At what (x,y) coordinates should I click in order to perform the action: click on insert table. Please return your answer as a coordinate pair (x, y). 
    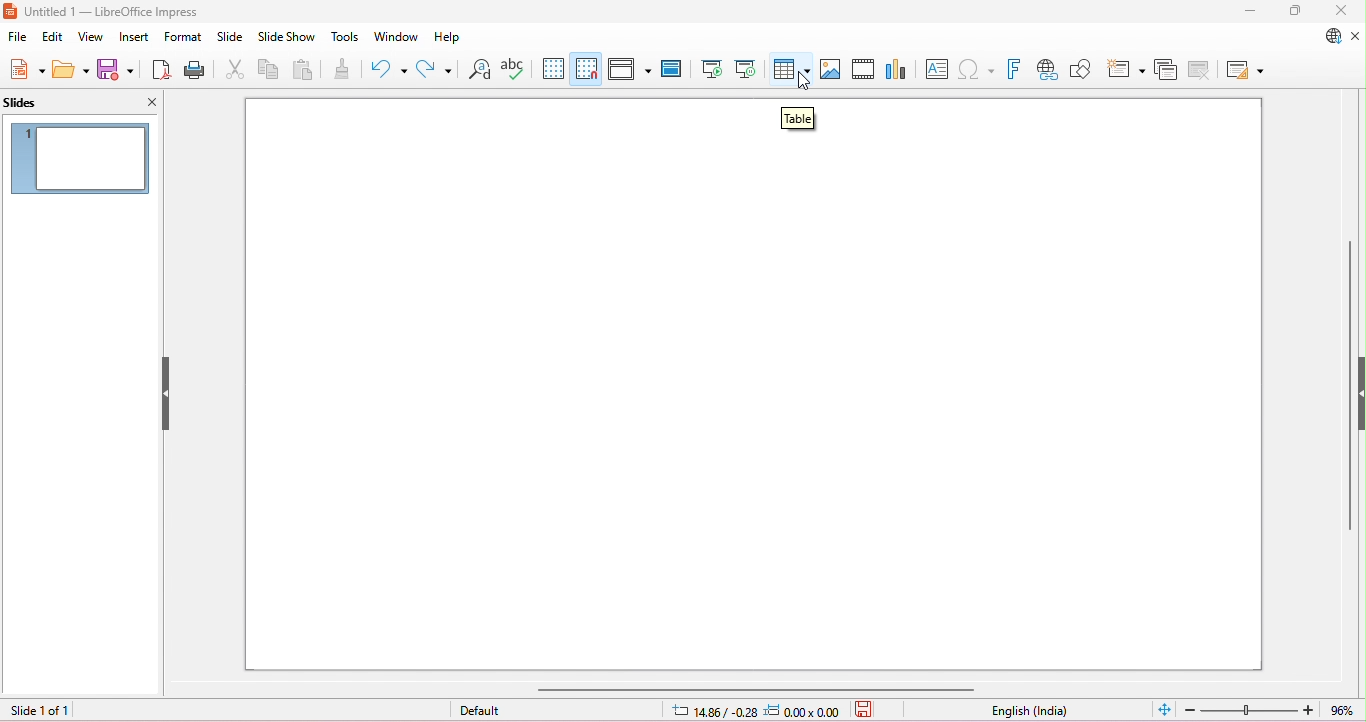
    Looking at the image, I should click on (791, 69).